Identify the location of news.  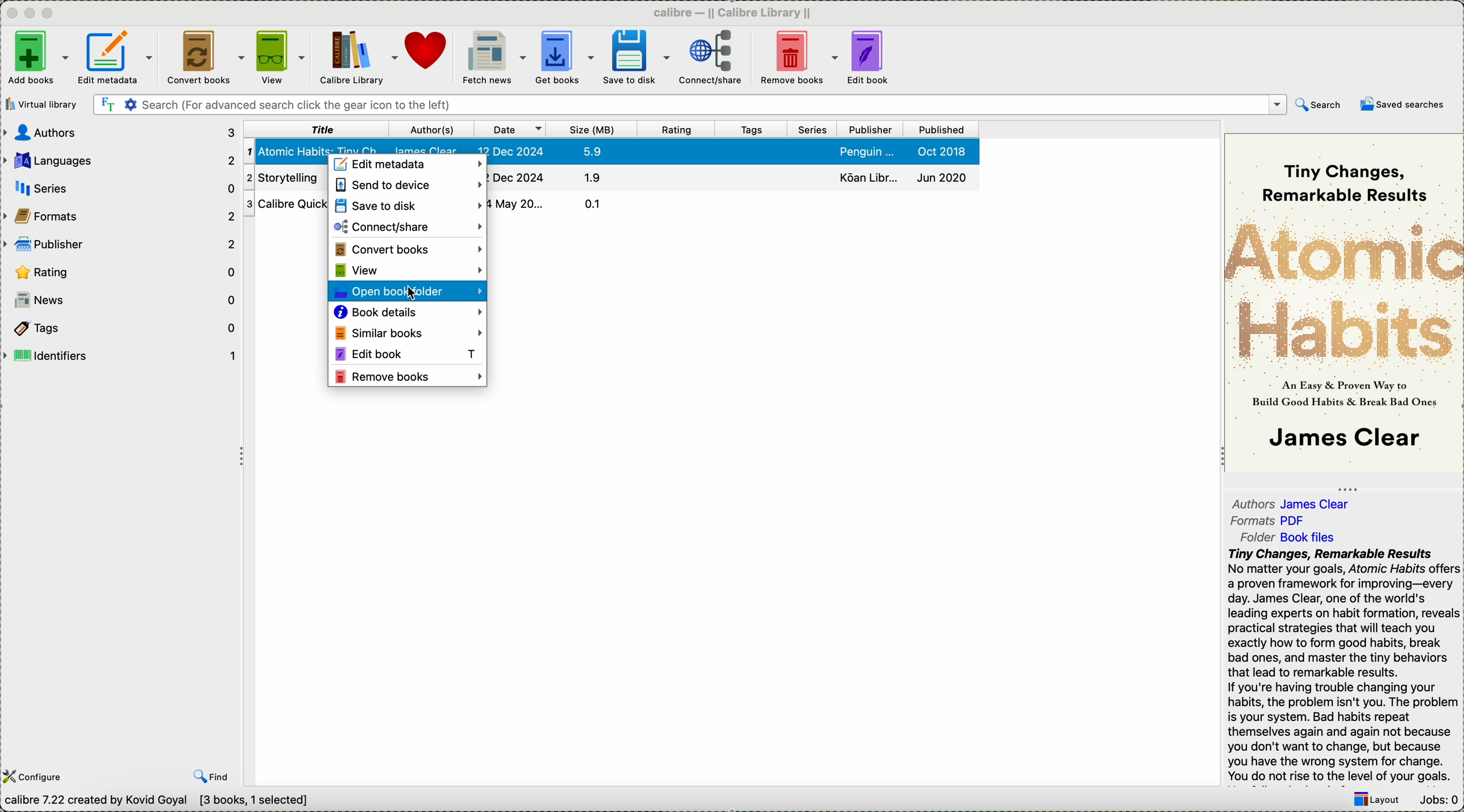
(121, 300).